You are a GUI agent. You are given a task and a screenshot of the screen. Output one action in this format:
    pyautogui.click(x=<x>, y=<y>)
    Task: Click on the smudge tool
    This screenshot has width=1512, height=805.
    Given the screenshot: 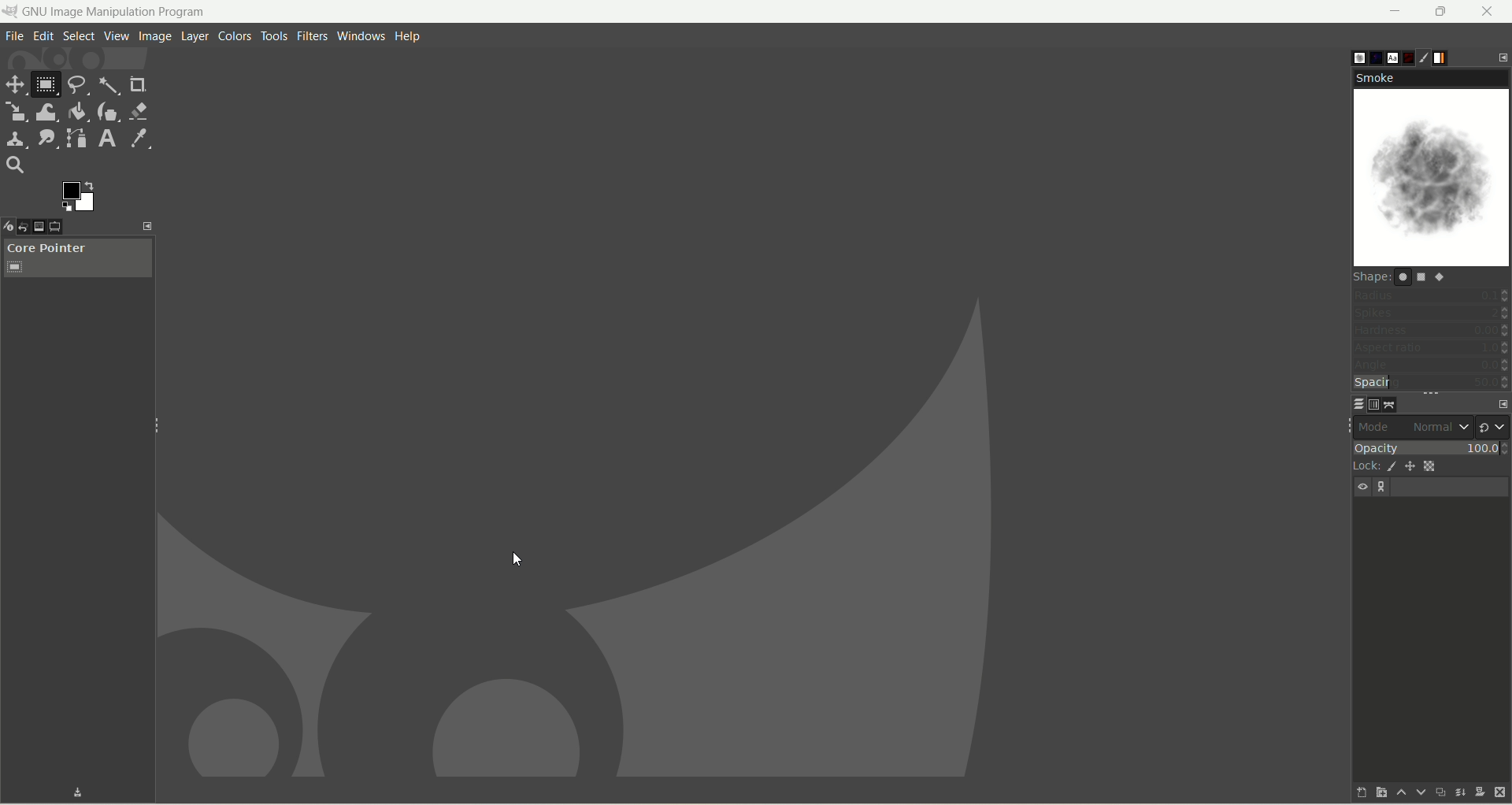 What is the action you would take?
    pyautogui.click(x=46, y=138)
    